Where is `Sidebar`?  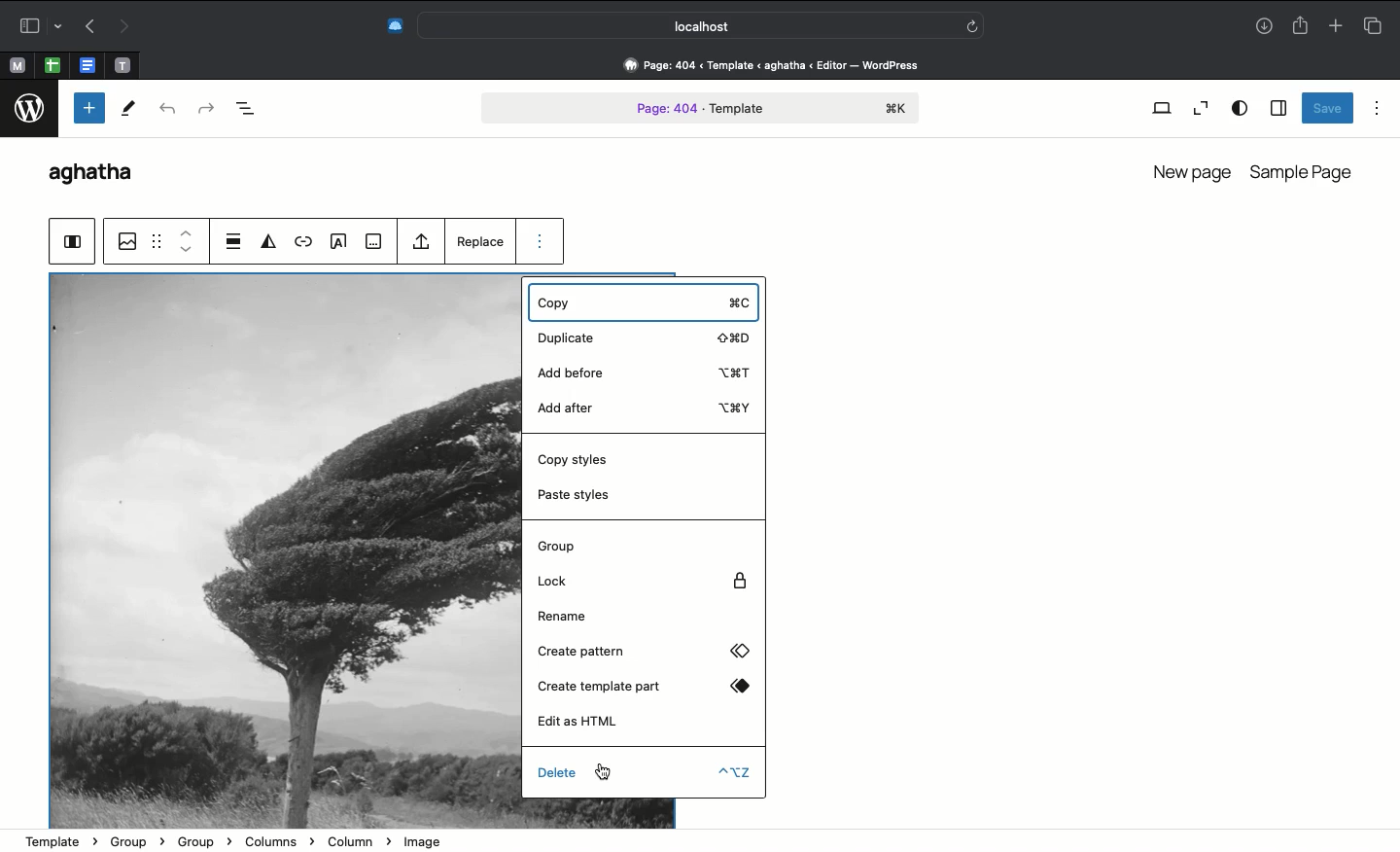 Sidebar is located at coordinates (1277, 107).